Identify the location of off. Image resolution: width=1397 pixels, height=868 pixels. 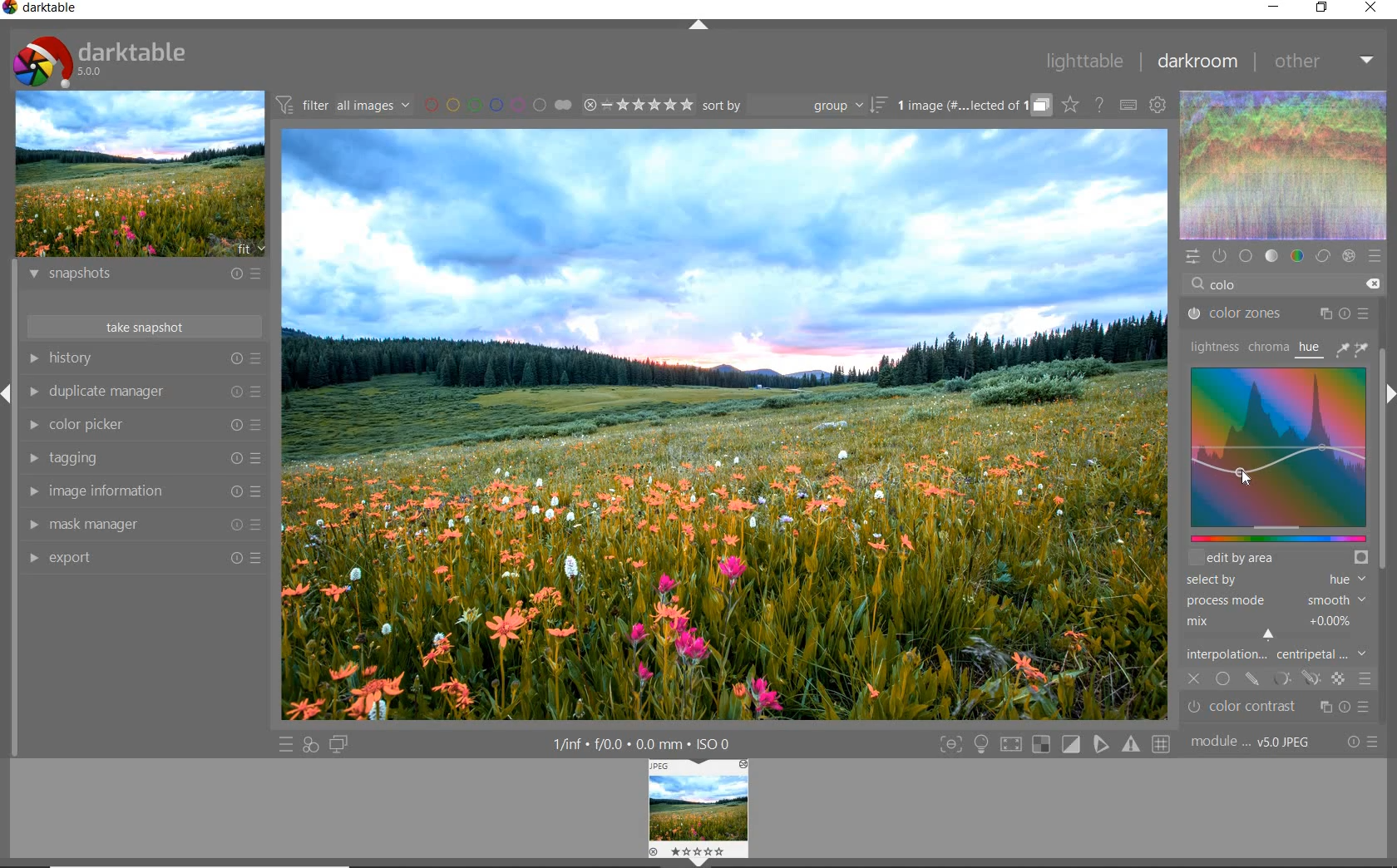
(1195, 677).